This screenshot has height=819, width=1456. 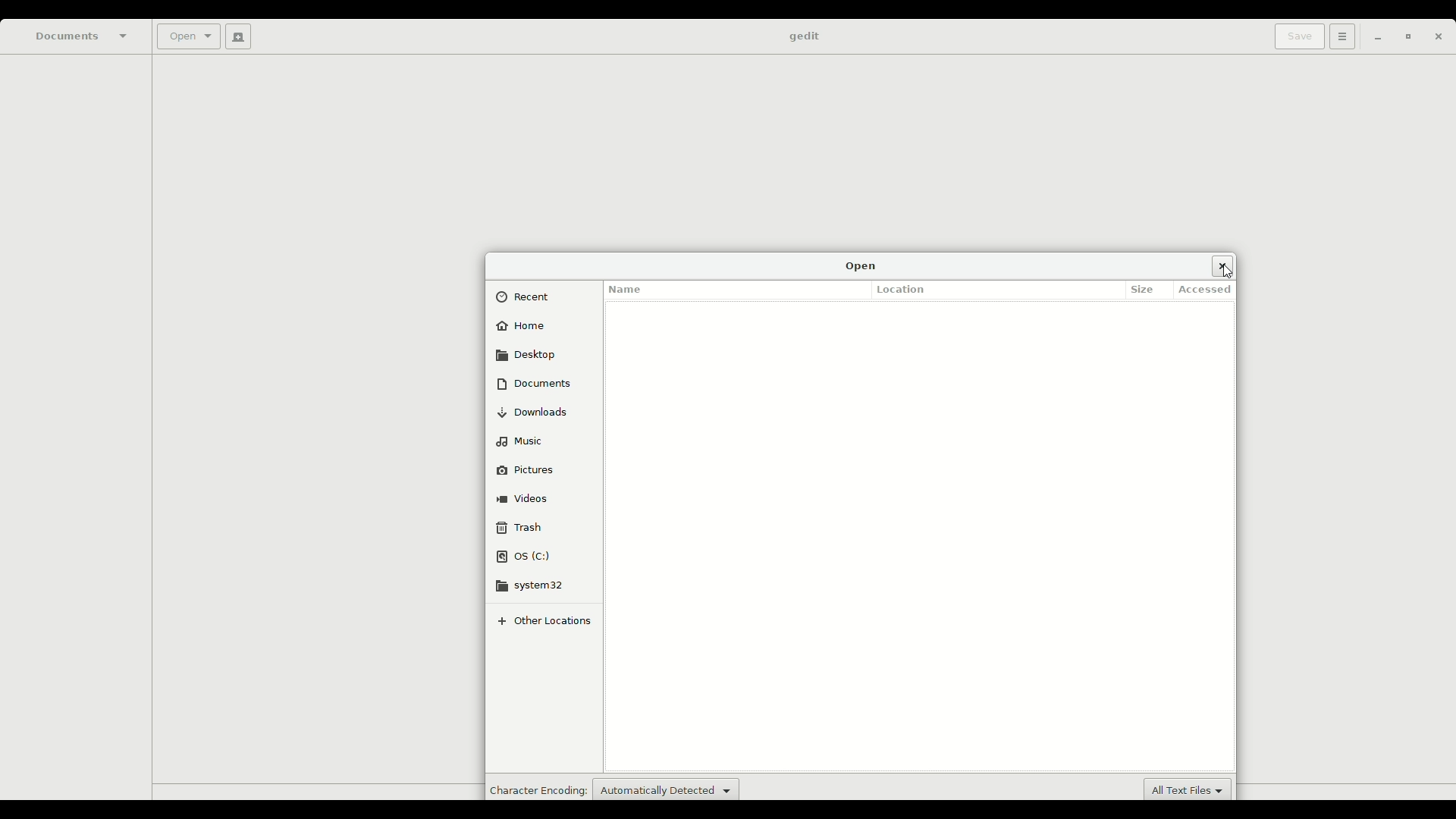 I want to click on Name, so click(x=628, y=286).